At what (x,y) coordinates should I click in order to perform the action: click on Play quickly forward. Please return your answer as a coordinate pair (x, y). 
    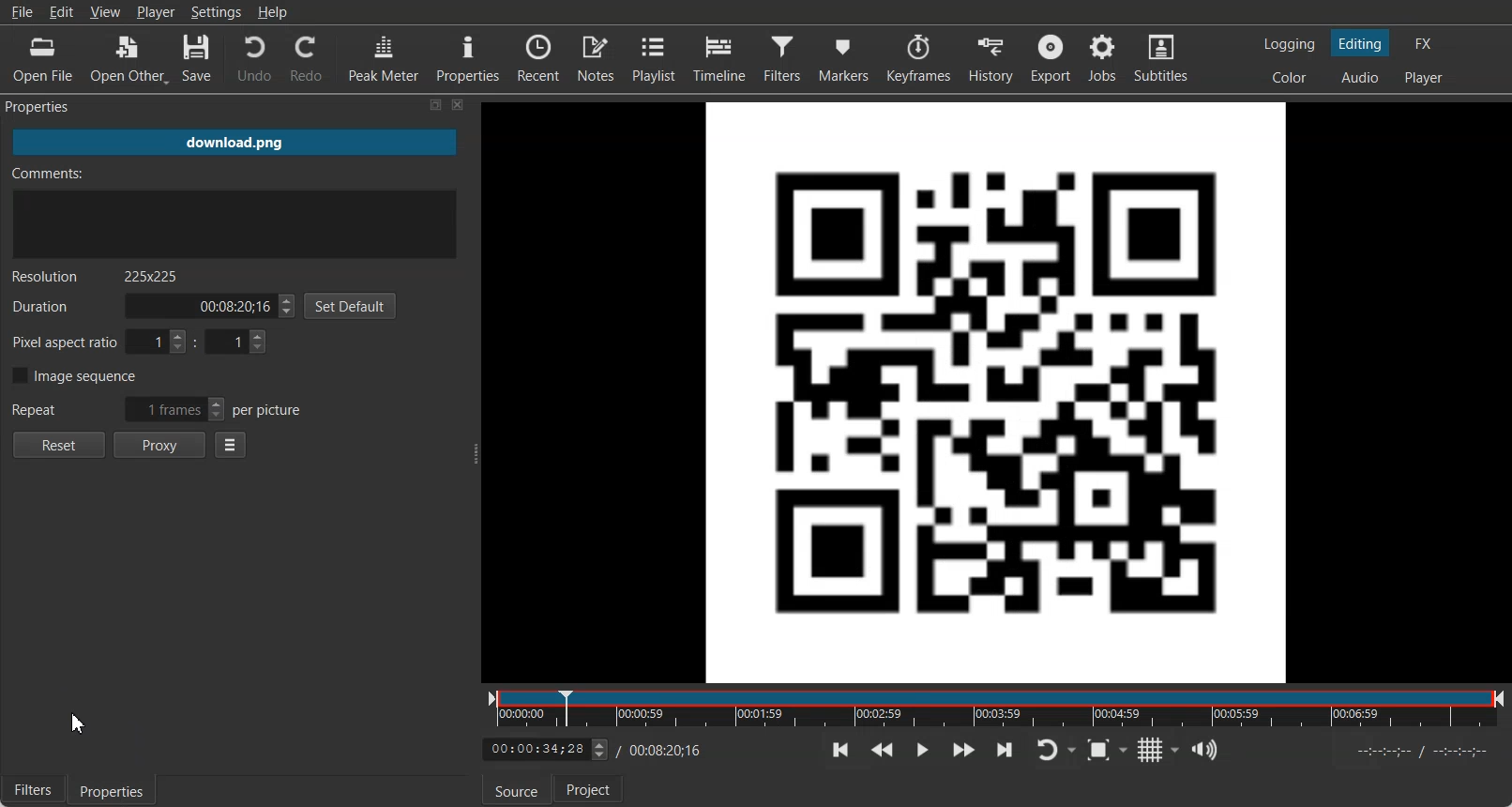
    Looking at the image, I should click on (963, 749).